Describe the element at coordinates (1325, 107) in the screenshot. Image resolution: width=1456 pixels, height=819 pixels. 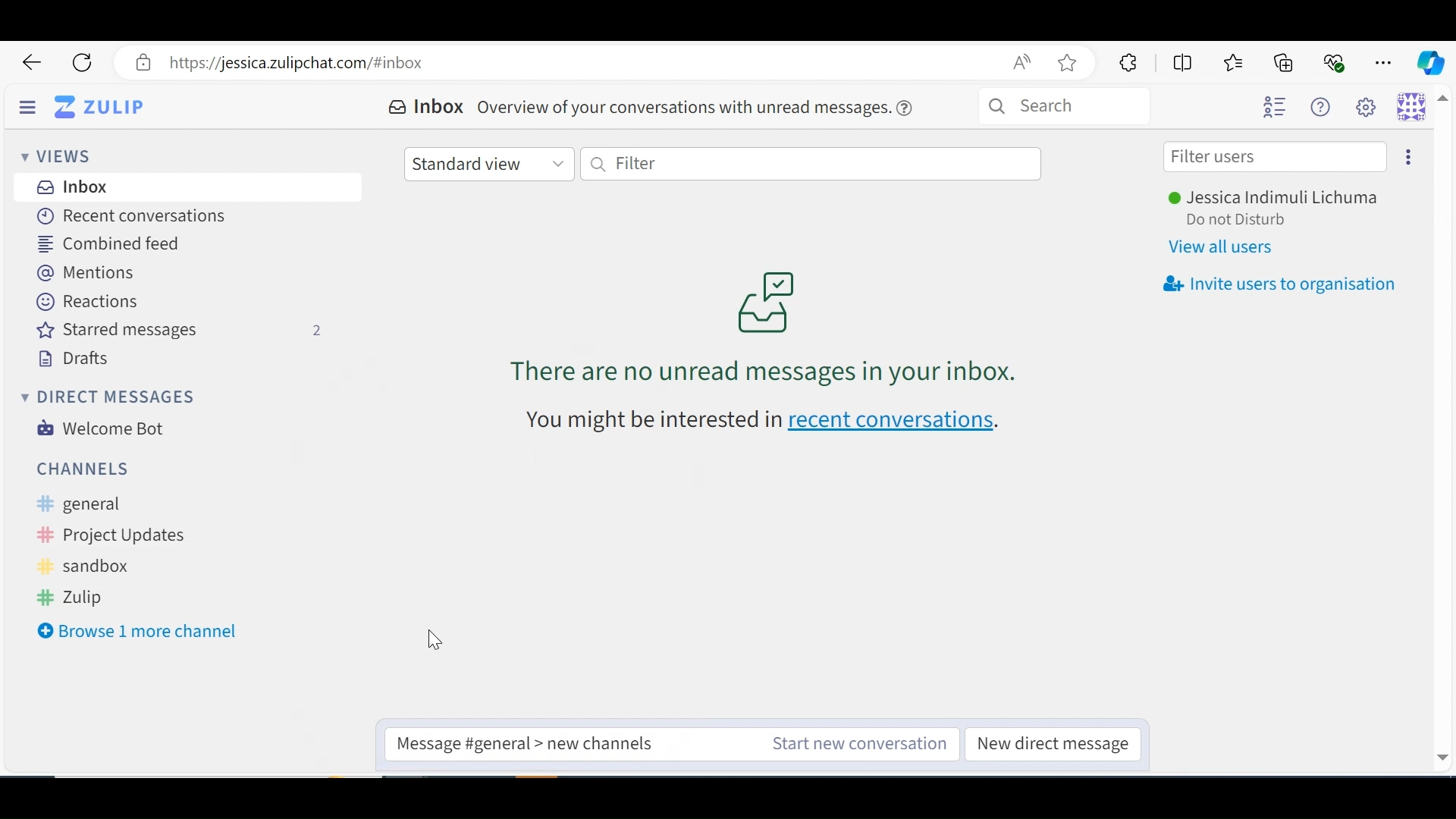
I see `Help menu` at that location.